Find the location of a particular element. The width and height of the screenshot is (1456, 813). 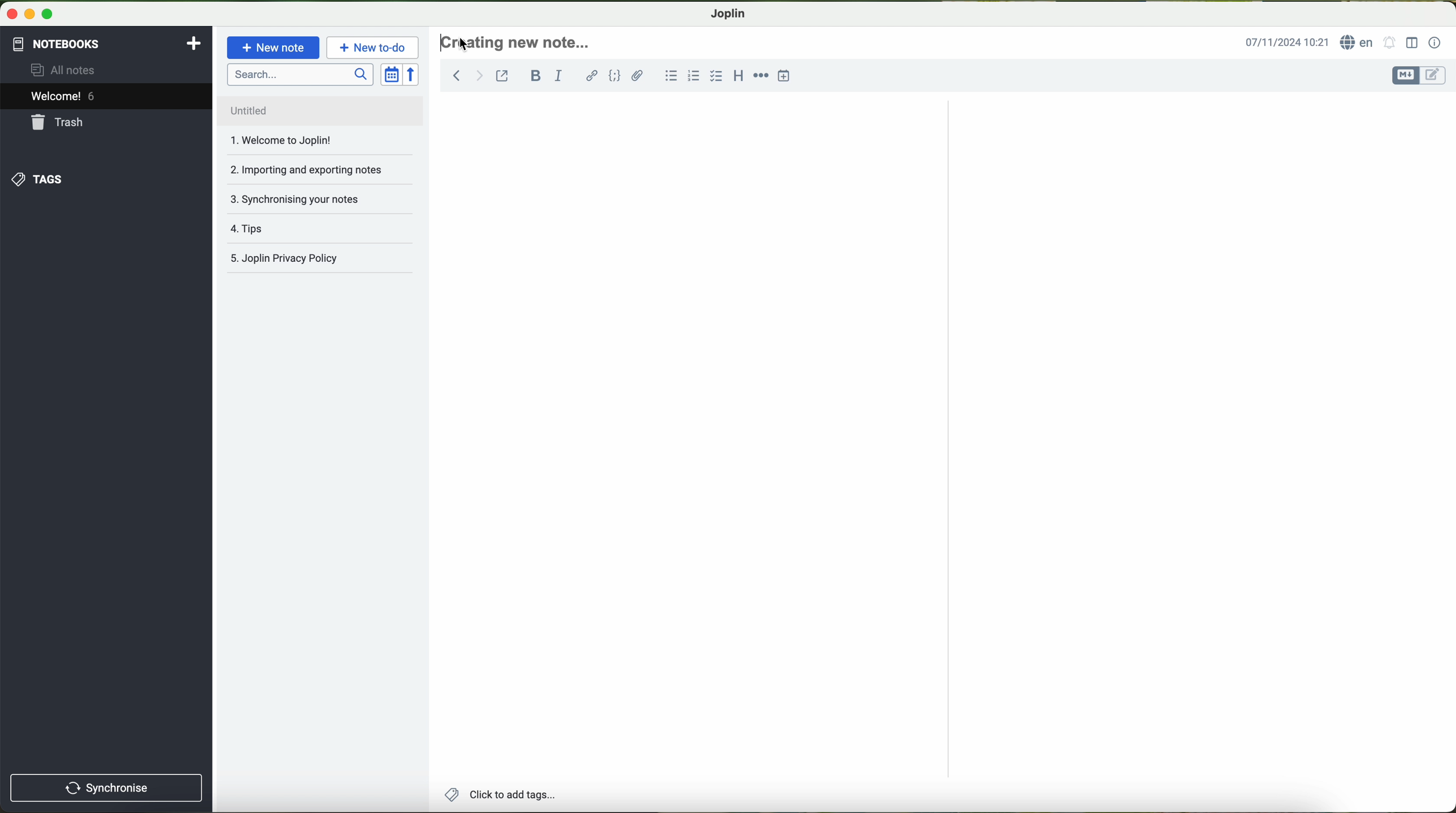

Joplin is located at coordinates (727, 14).